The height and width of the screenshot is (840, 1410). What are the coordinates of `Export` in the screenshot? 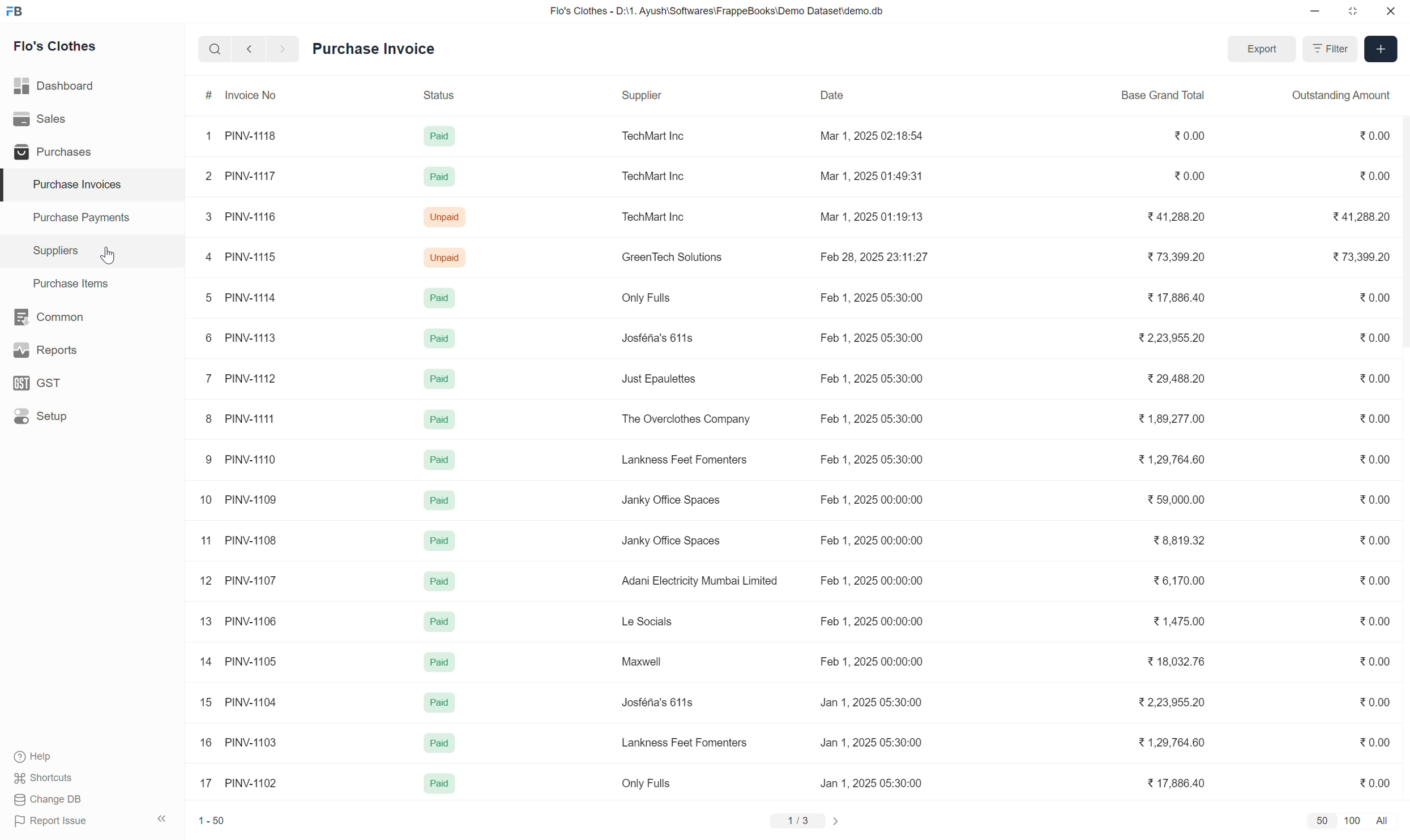 It's located at (1256, 49).